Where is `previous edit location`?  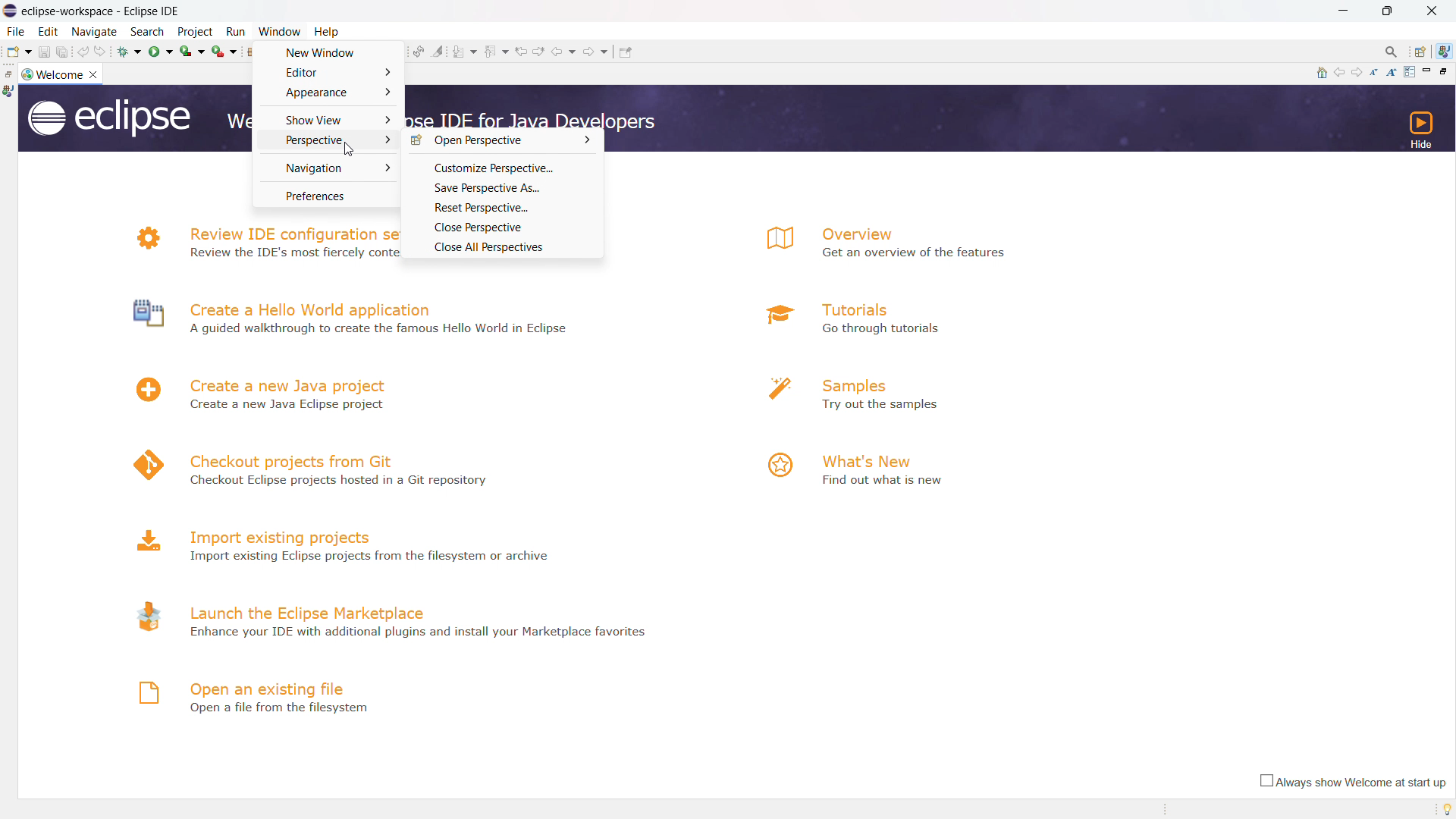
previous edit location is located at coordinates (521, 52).